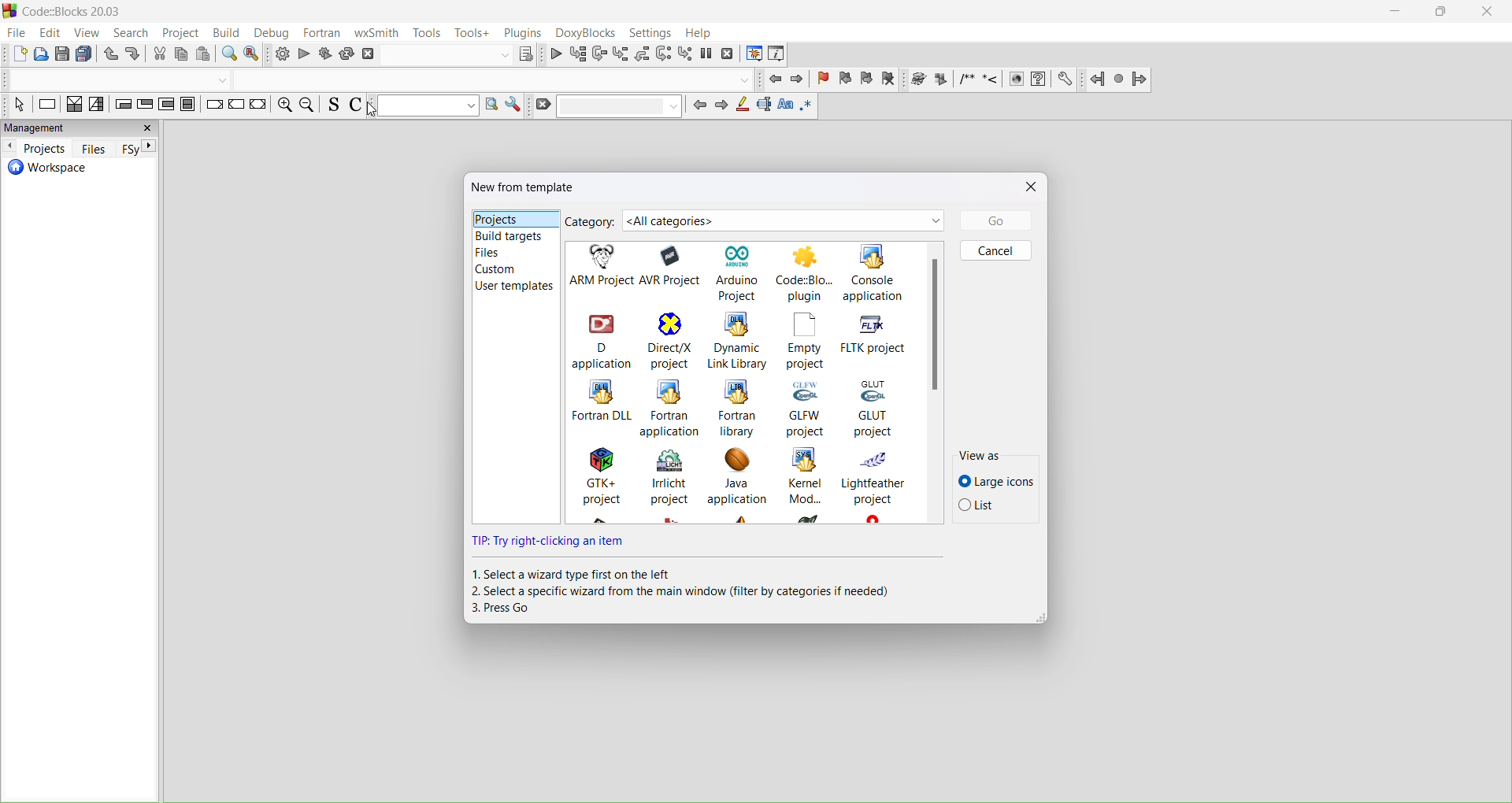 This screenshot has height=803, width=1512. Describe the element at coordinates (206, 55) in the screenshot. I see `paste` at that location.